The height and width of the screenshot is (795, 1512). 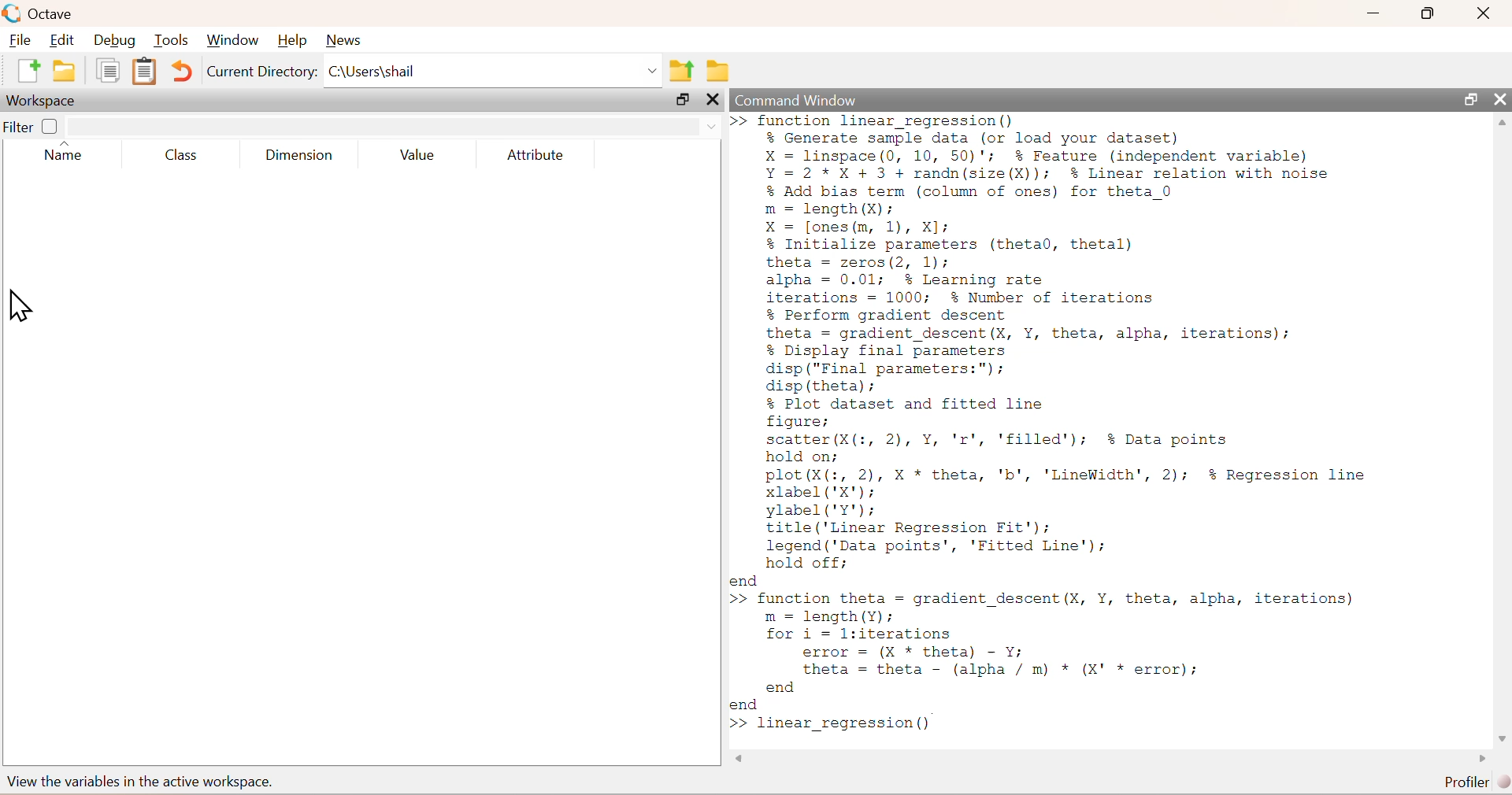 What do you see at coordinates (31, 126) in the screenshot?
I see `Filter` at bounding box center [31, 126].